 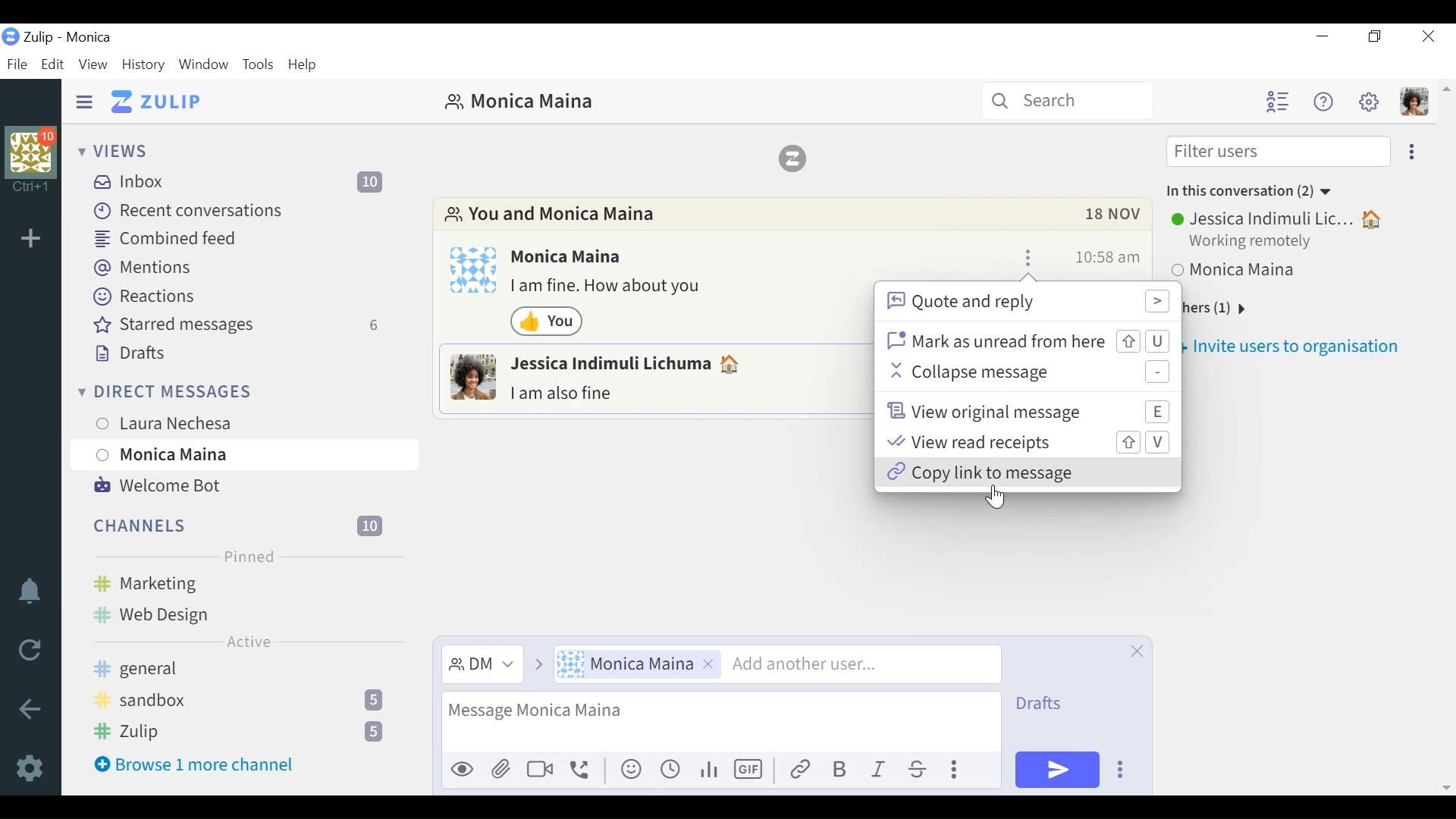 I want to click on analytics, so click(x=709, y=770).